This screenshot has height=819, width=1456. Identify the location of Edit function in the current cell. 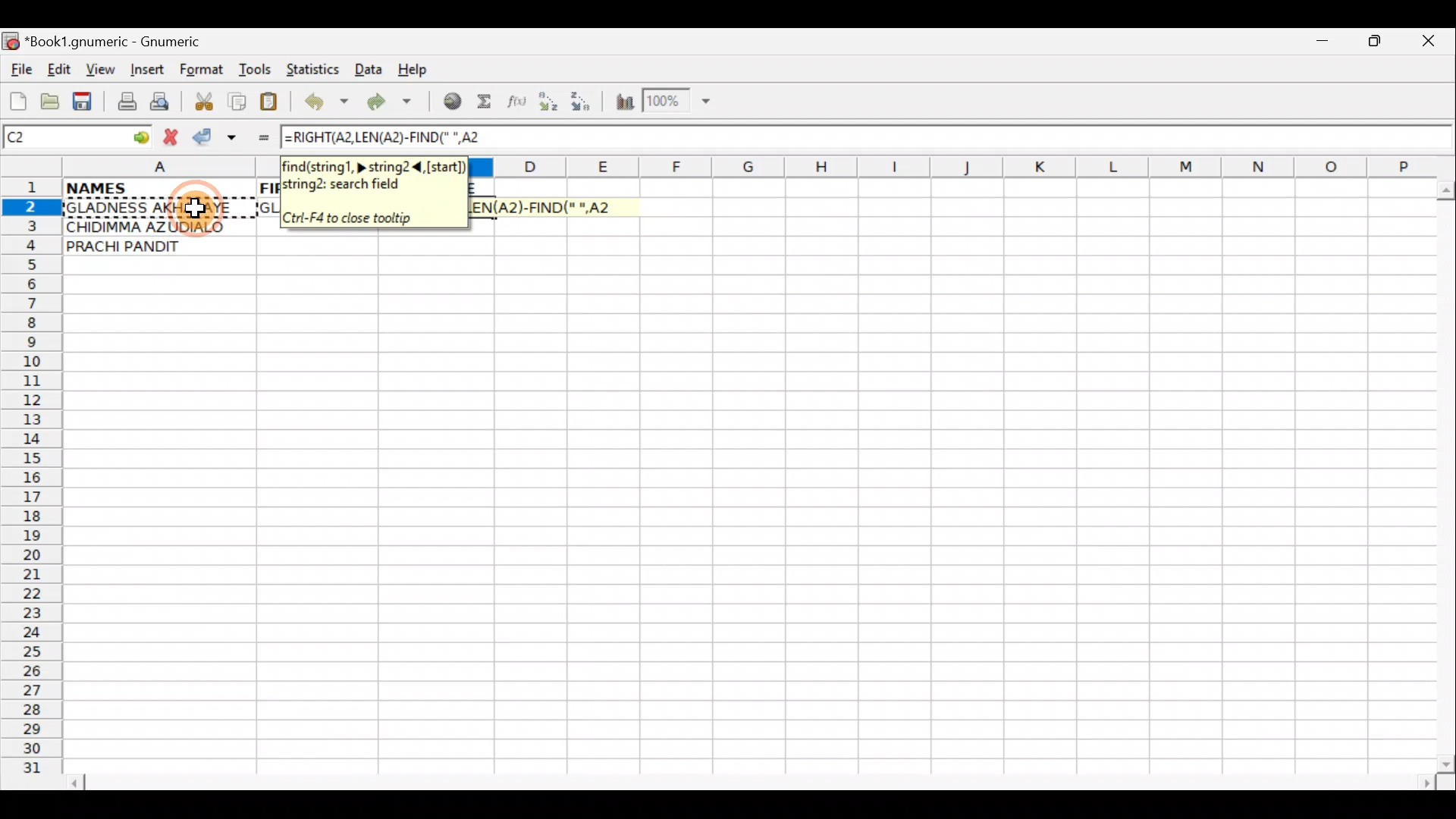
(519, 105).